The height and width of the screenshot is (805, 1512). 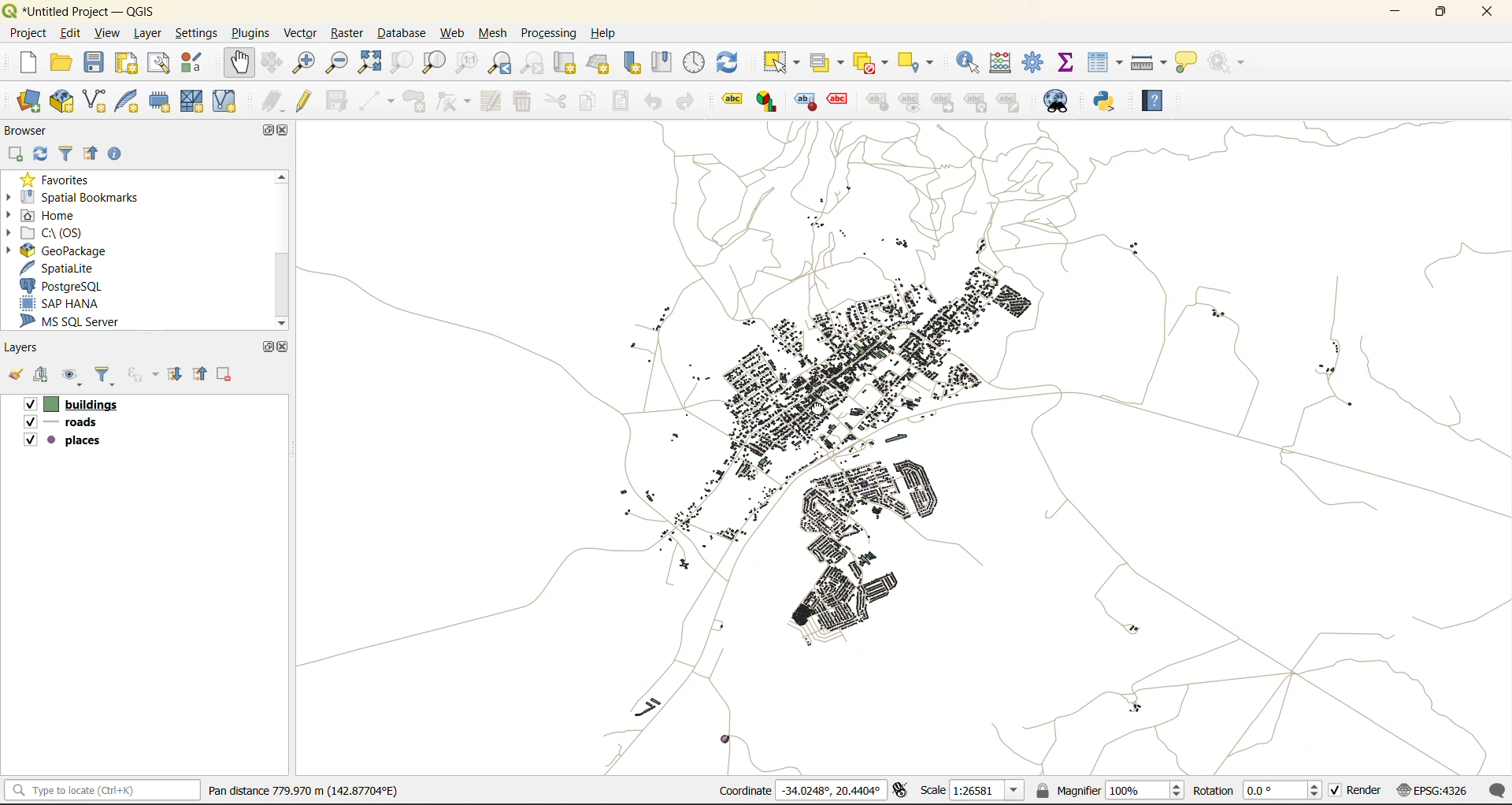 What do you see at coordinates (1399, 15) in the screenshot?
I see `minimize` at bounding box center [1399, 15].